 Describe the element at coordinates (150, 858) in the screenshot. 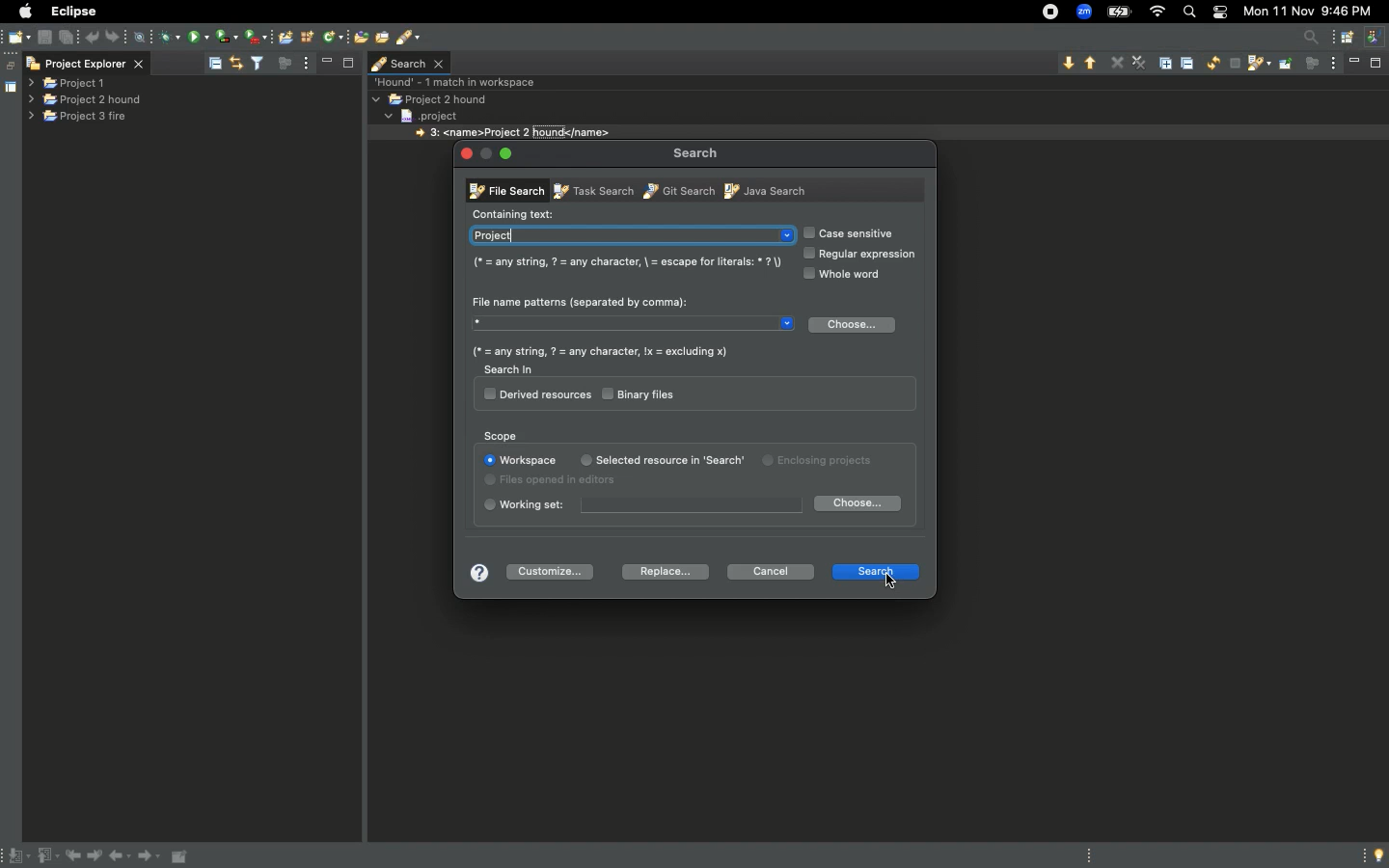

I see `Forward` at that location.